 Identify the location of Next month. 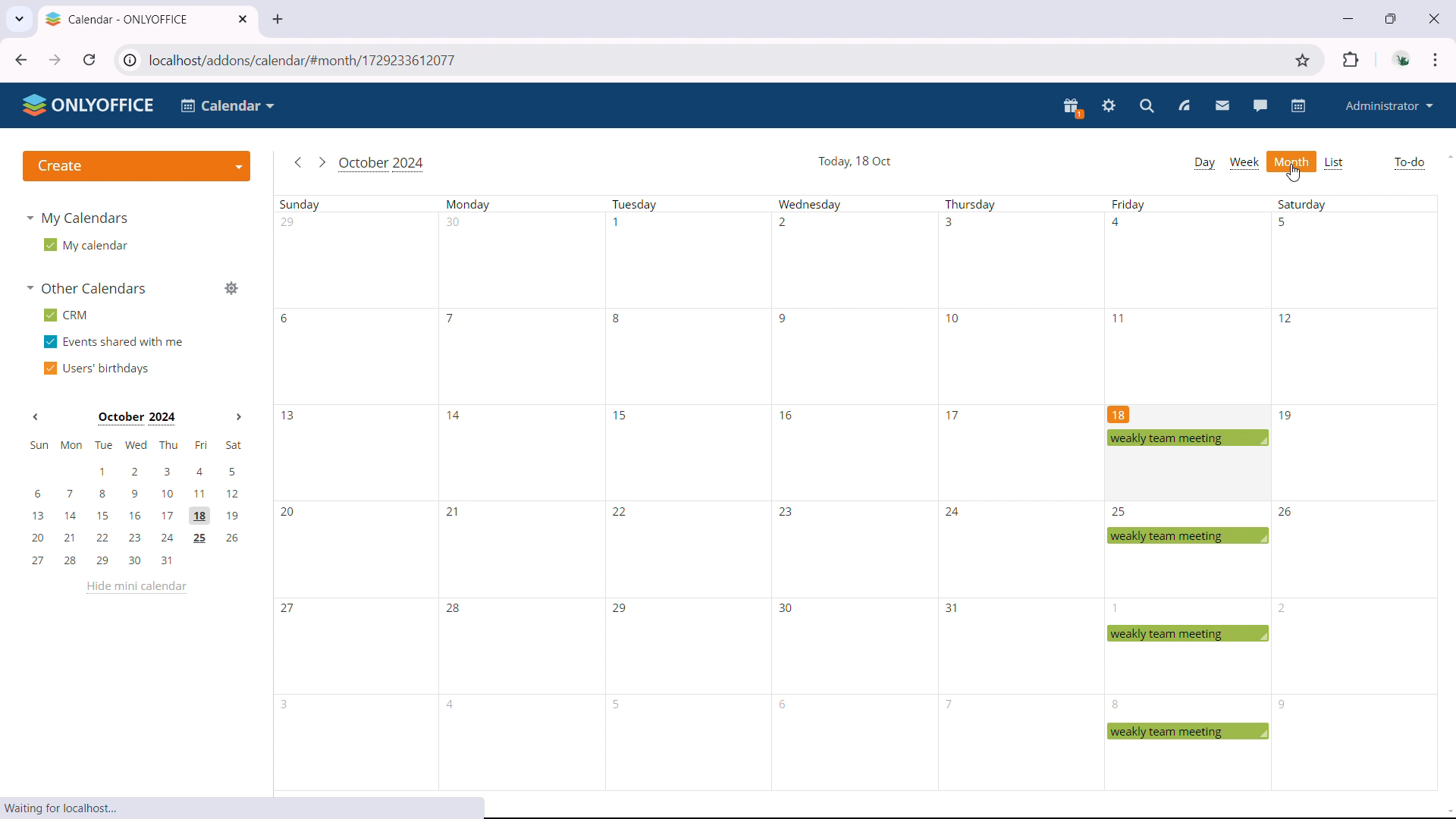
(236, 418).